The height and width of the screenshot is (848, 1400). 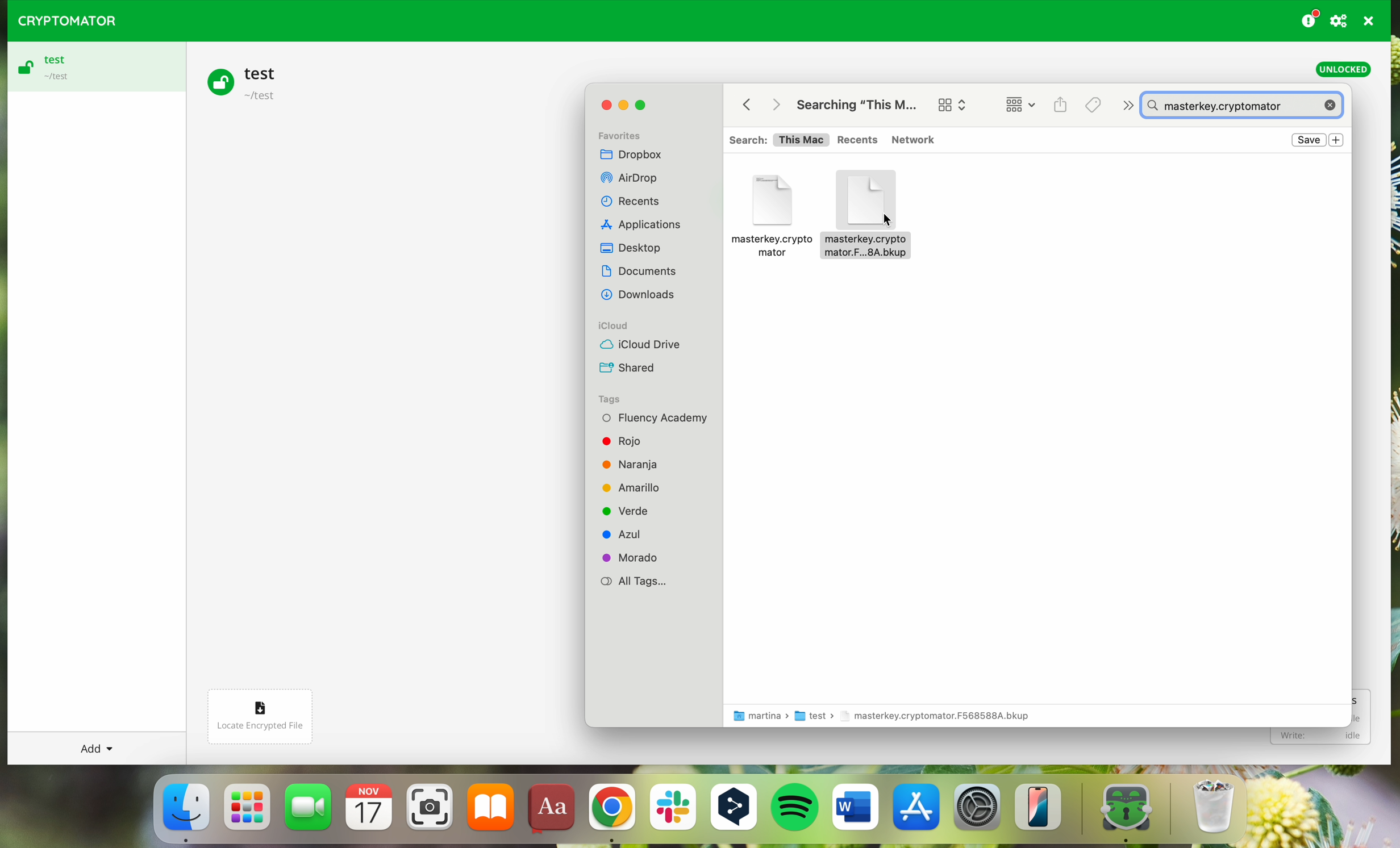 What do you see at coordinates (915, 139) in the screenshot?
I see `Network` at bounding box center [915, 139].